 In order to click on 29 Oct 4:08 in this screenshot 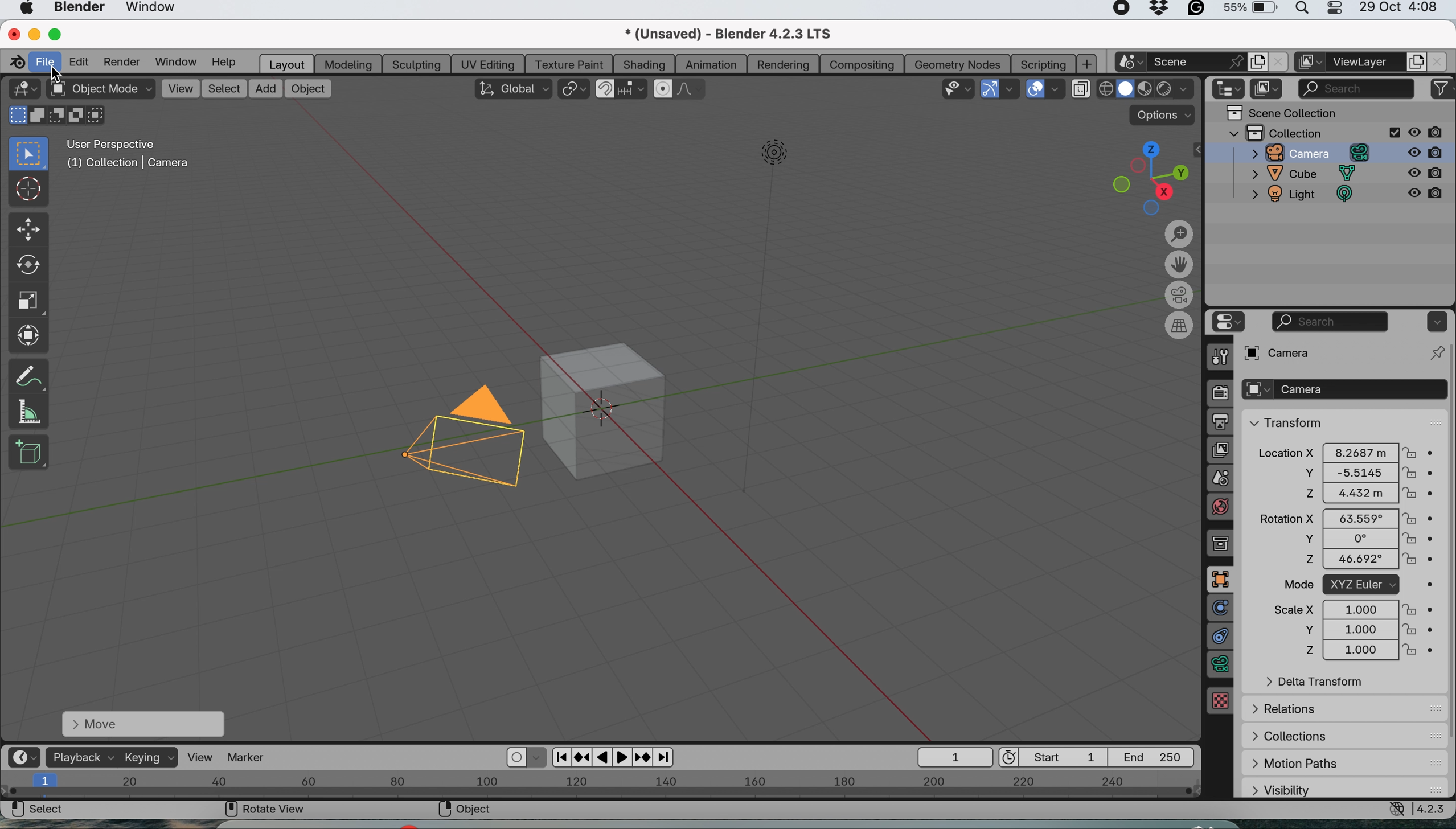, I will do `click(1399, 8)`.